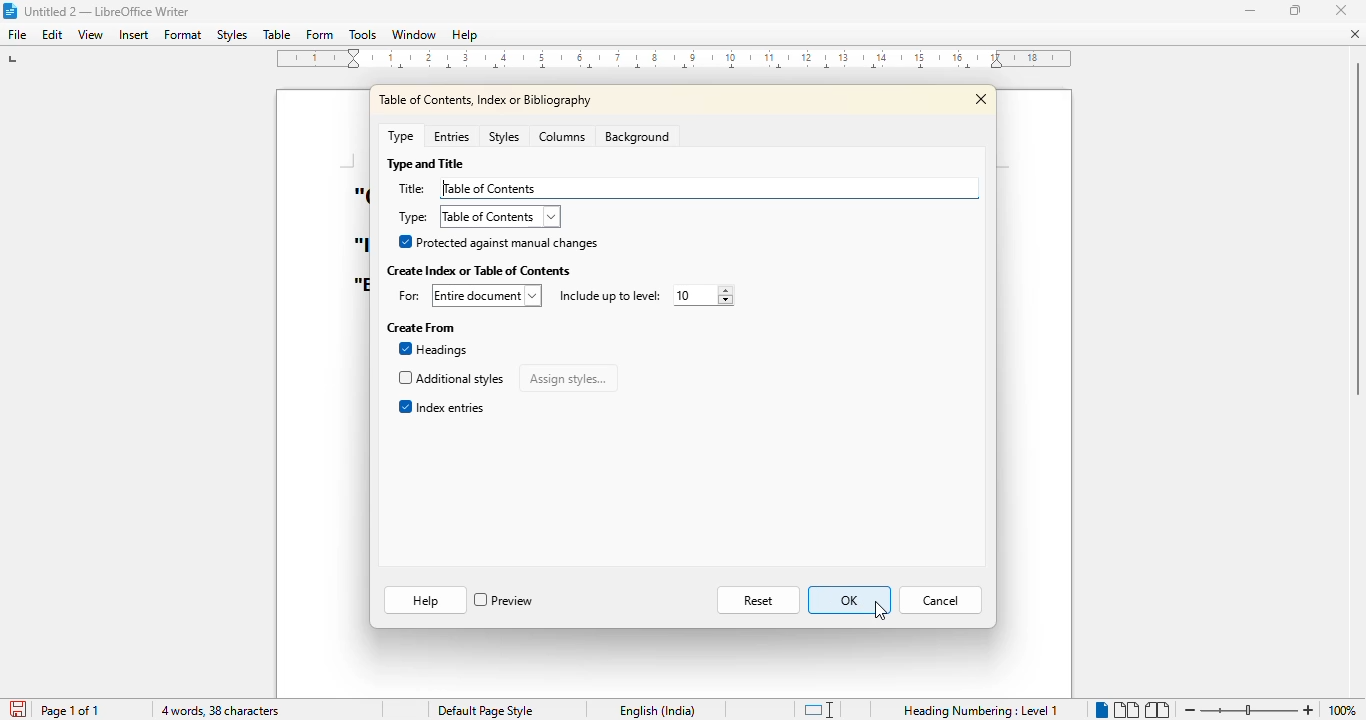 This screenshot has height=720, width=1366. What do you see at coordinates (1353, 312) in the screenshot?
I see `vertical scroll bar` at bounding box center [1353, 312].